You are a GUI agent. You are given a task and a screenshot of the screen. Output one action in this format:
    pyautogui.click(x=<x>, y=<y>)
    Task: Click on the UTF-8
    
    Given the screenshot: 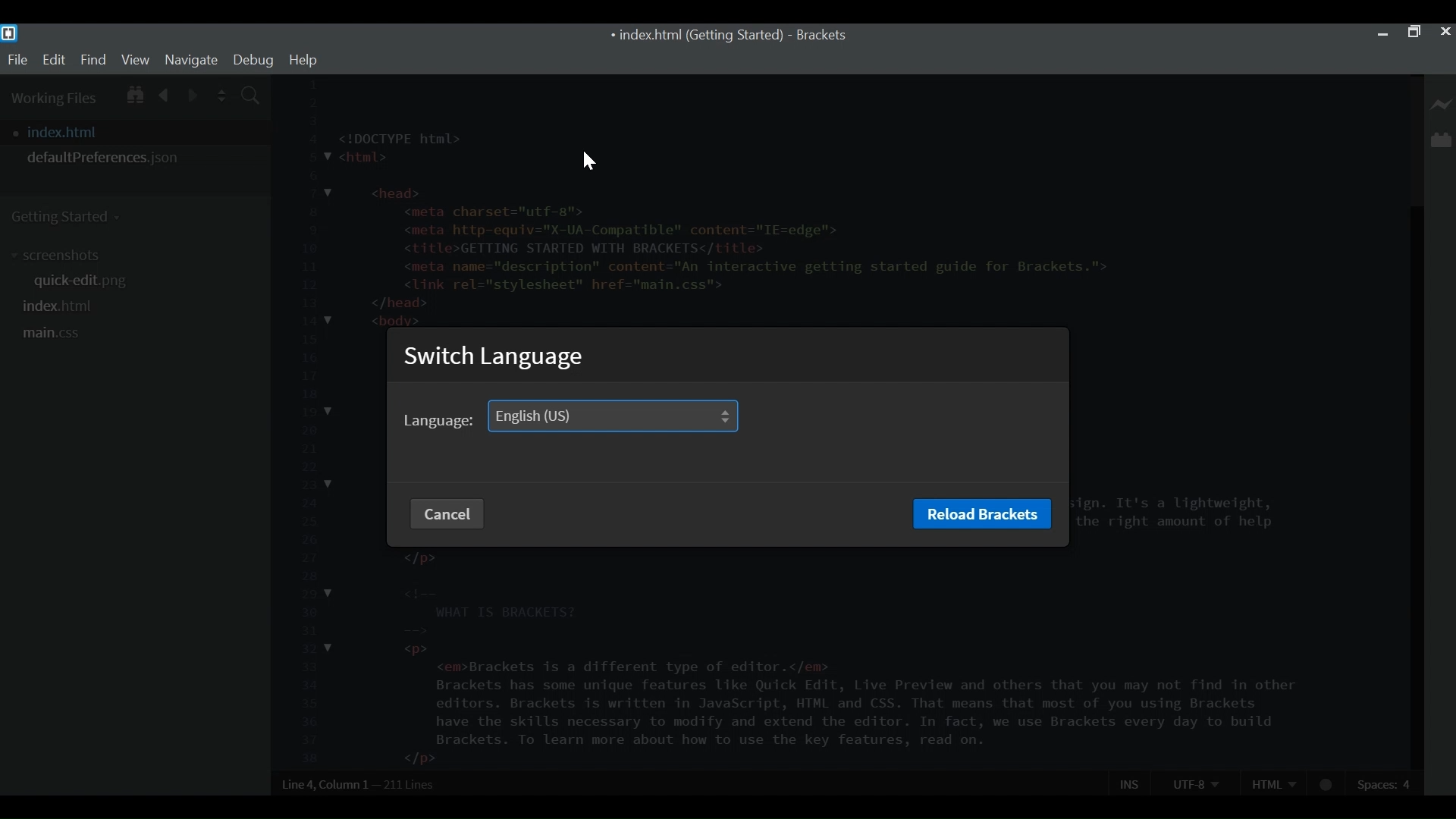 What is the action you would take?
    pyautogui.click(x=1195, y=783)
    